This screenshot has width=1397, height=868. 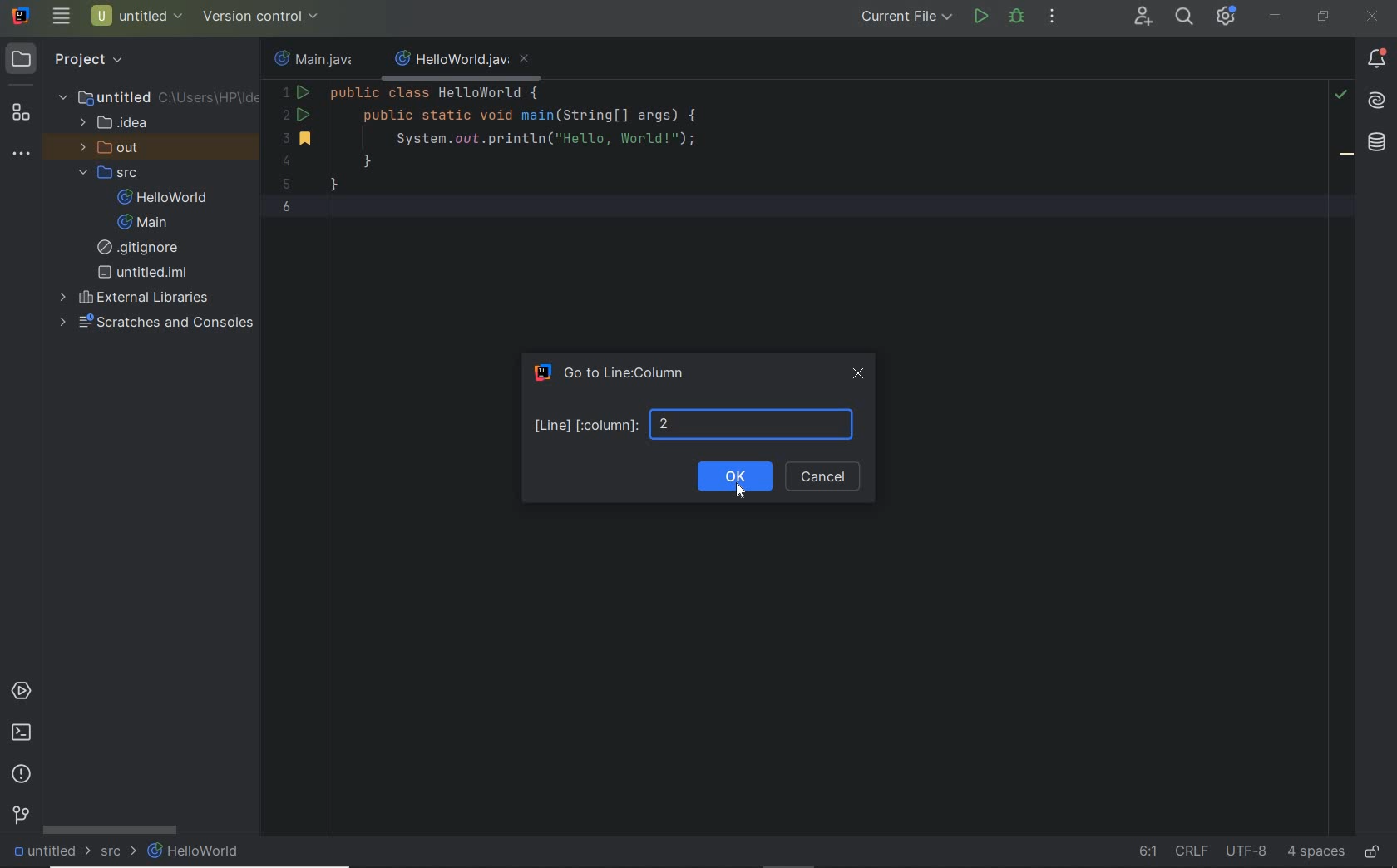 I want to click on Cursor, so click(x=741, y=491).